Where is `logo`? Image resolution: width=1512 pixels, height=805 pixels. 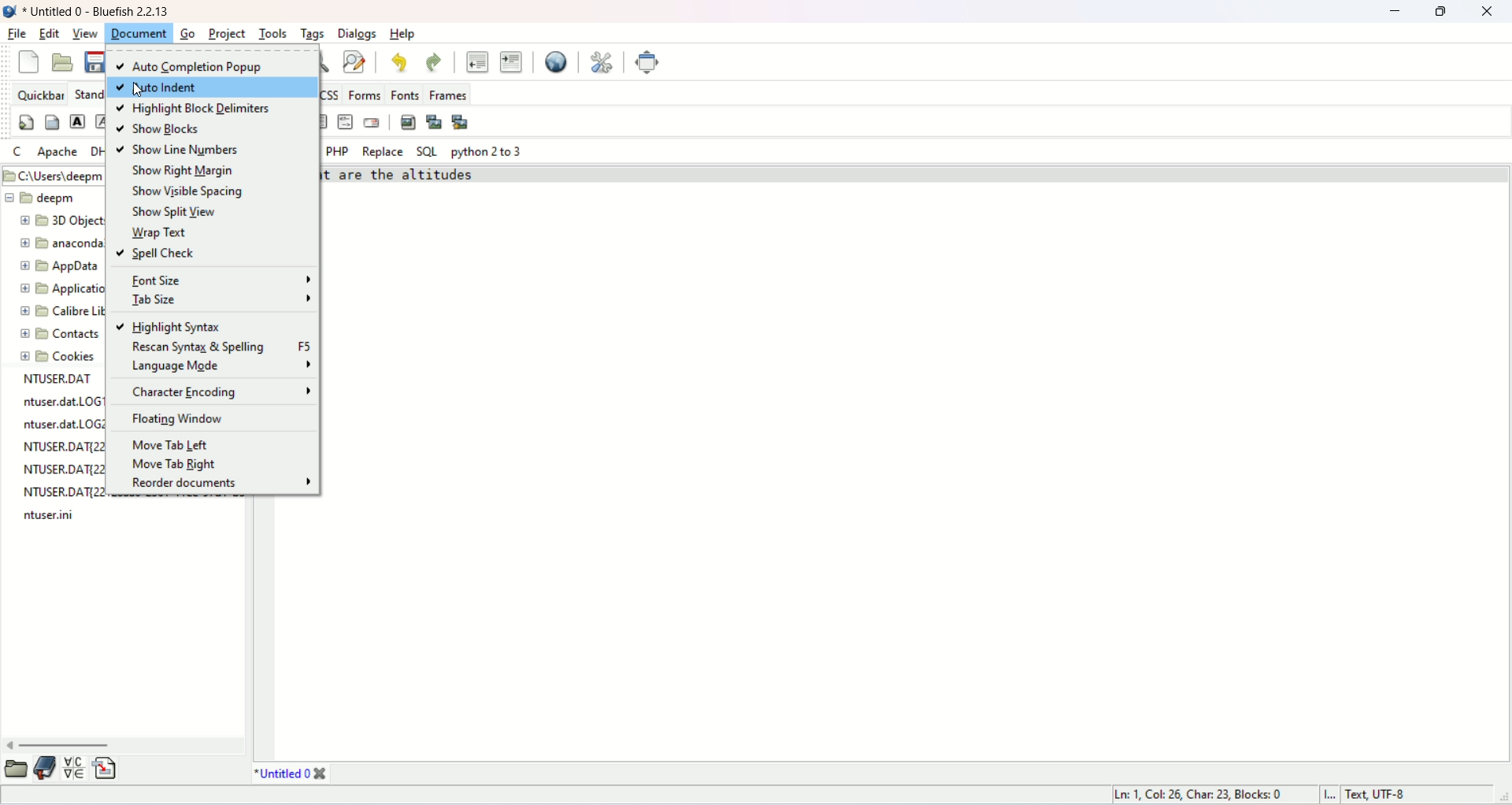
logo is located at coordinates (9, 11).